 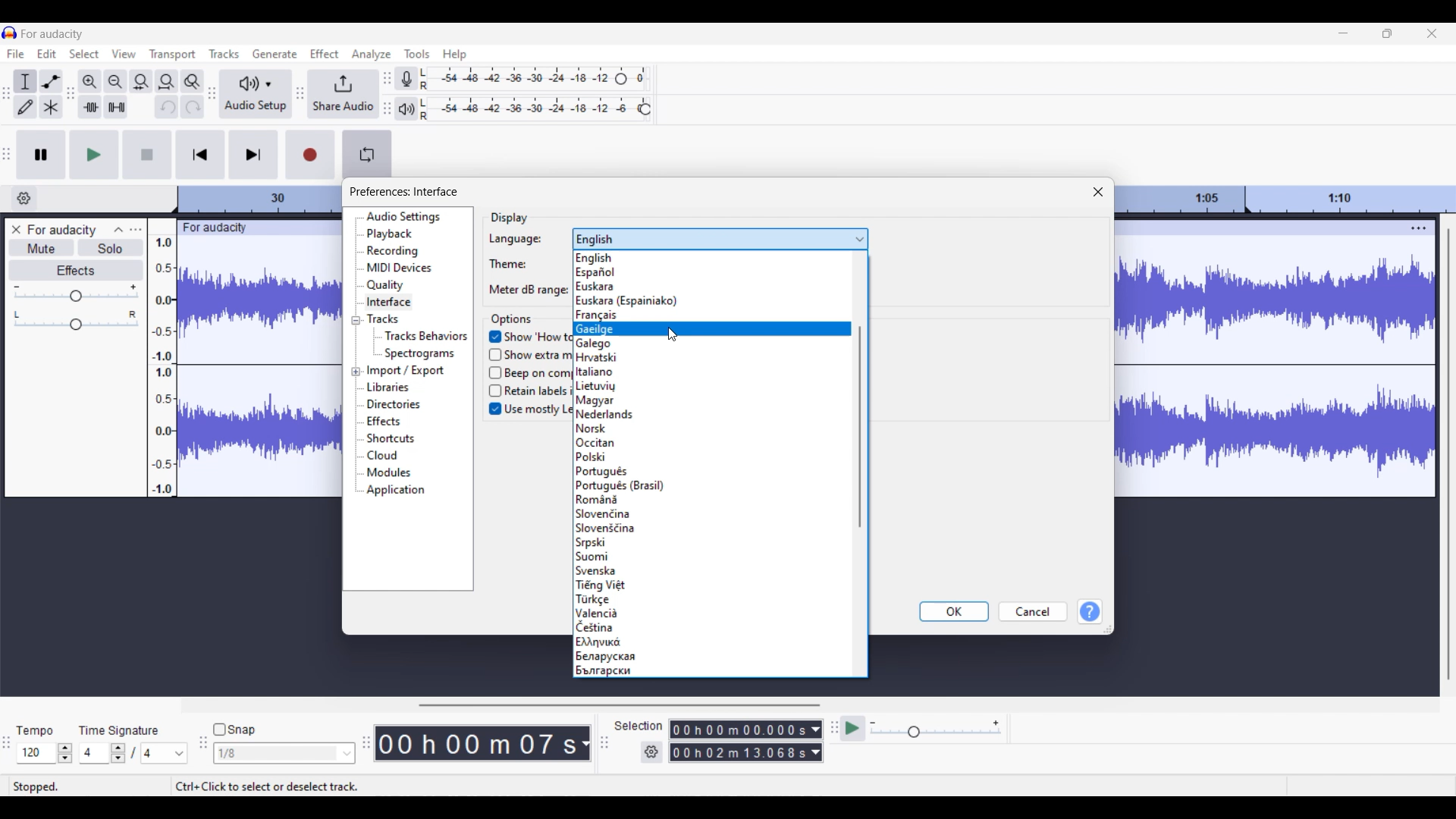 I want to click on Play/Play once, so click(x=94, y=155).